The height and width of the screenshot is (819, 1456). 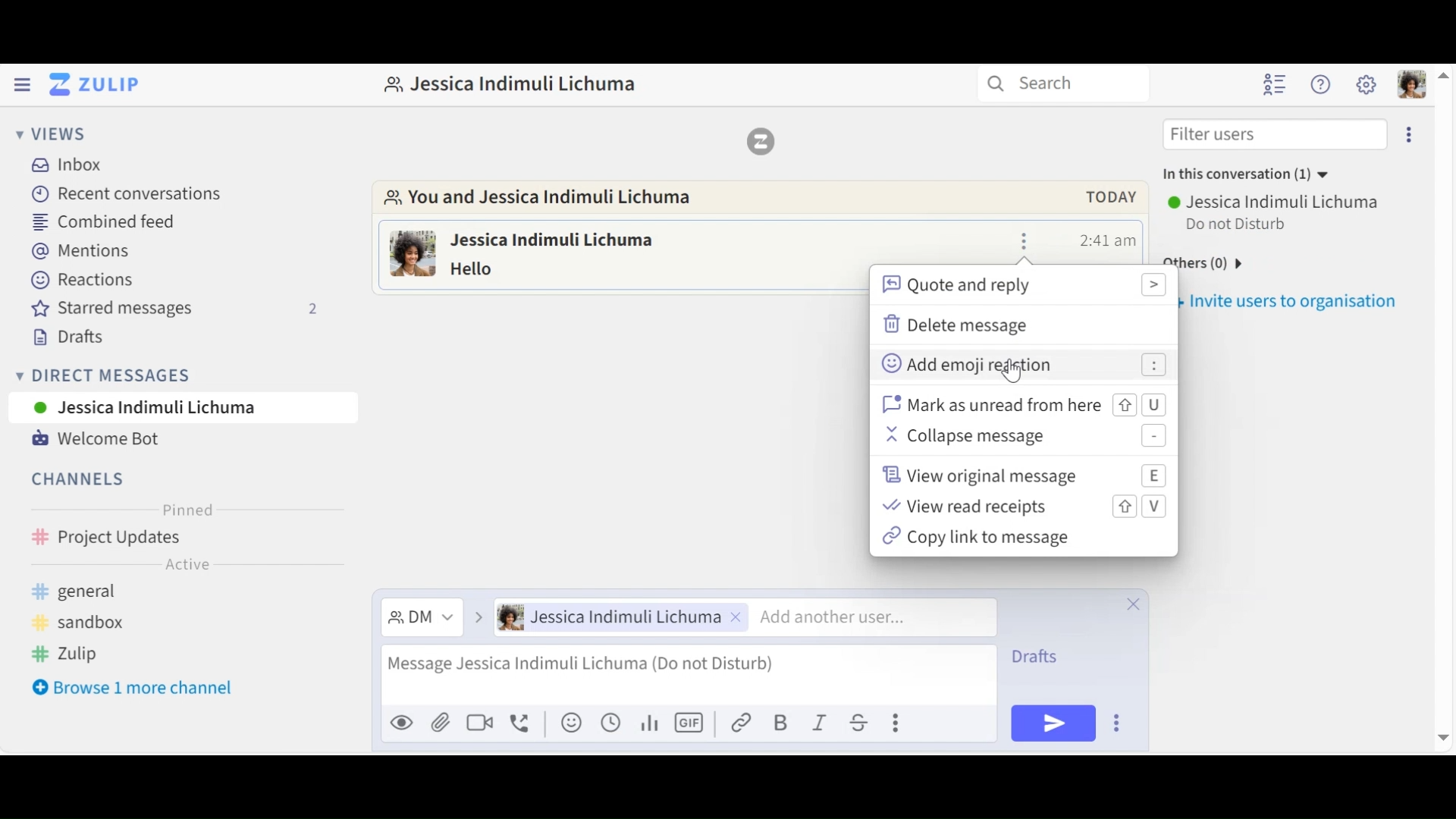 I want to click on Browse more channel, so click(x=133, y=688).